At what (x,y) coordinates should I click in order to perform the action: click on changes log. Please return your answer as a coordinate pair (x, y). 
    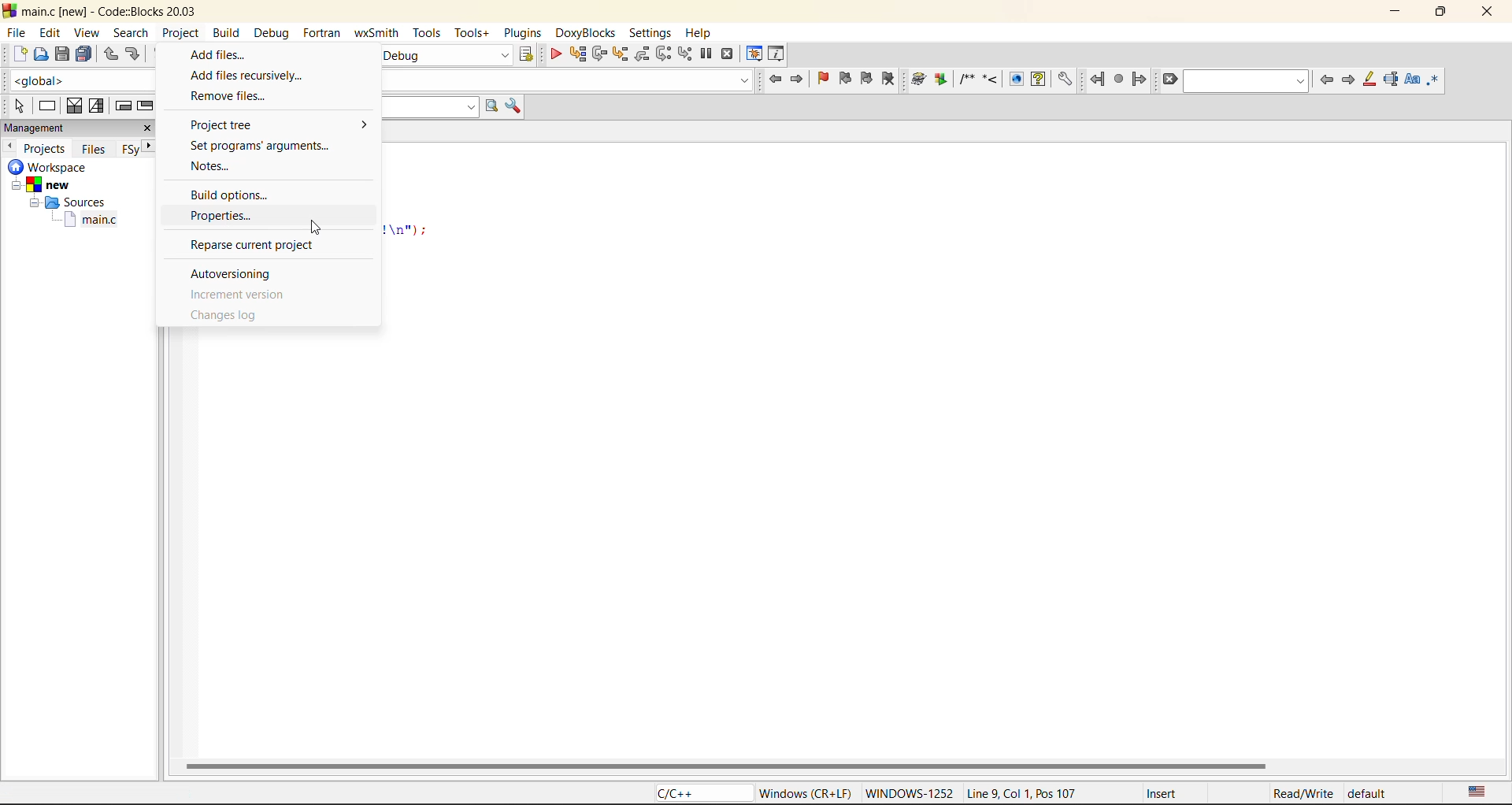
    Looking at the image, I should click on (235, 316).